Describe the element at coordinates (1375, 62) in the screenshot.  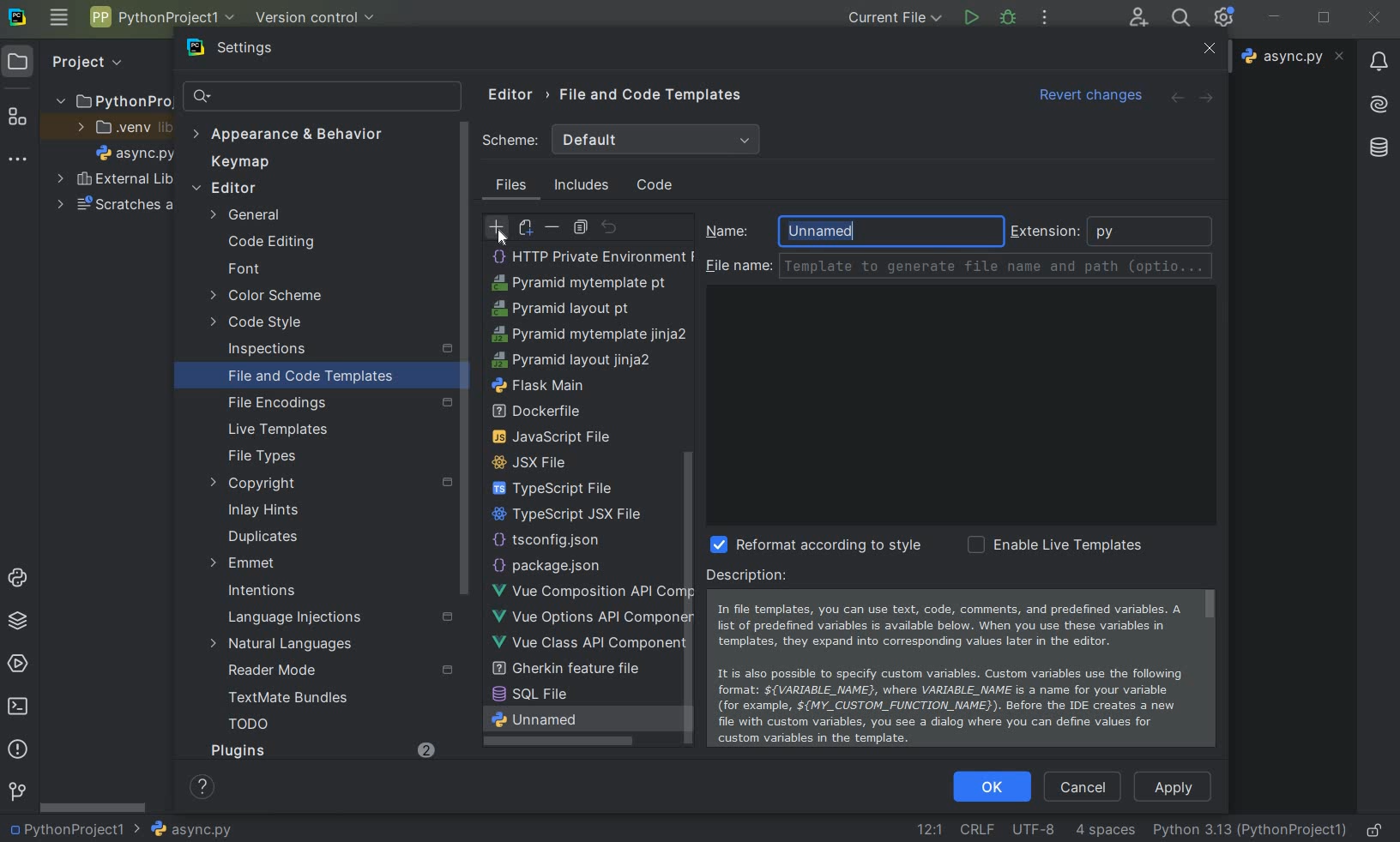
I see `notifications` at that location.